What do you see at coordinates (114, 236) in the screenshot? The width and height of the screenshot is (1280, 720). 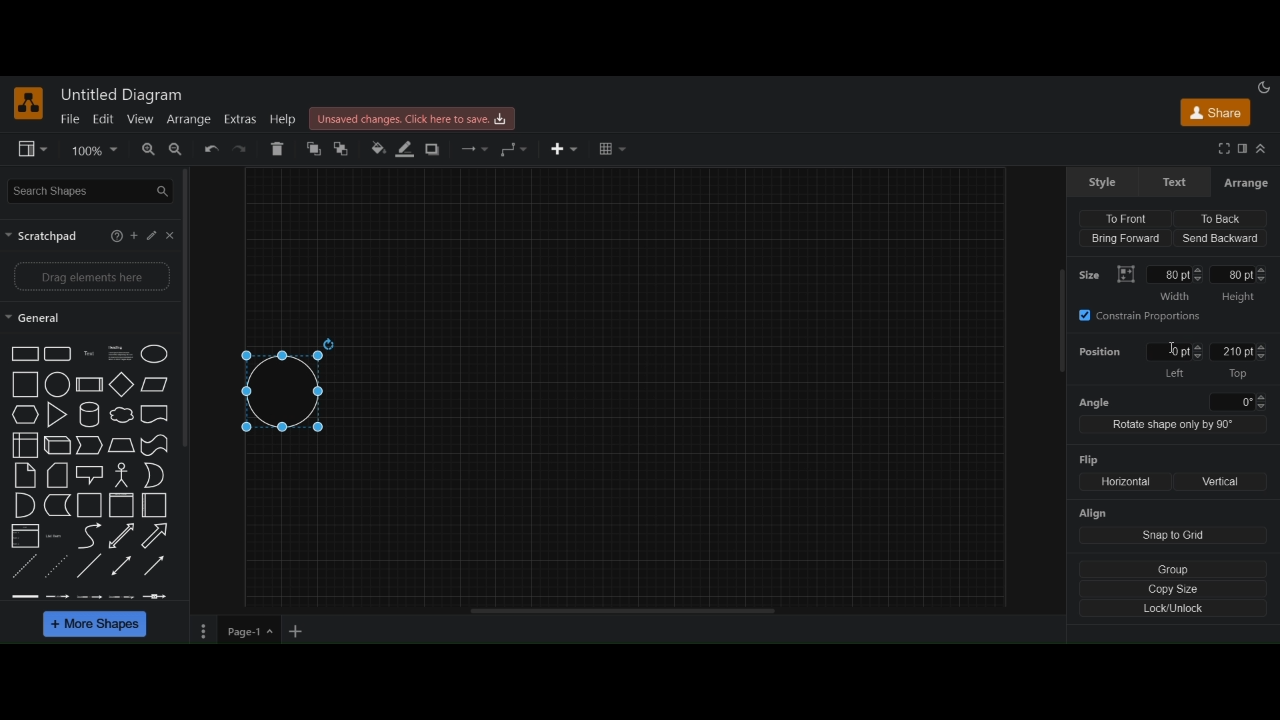 I see `help` at bounding box center [114, 236].